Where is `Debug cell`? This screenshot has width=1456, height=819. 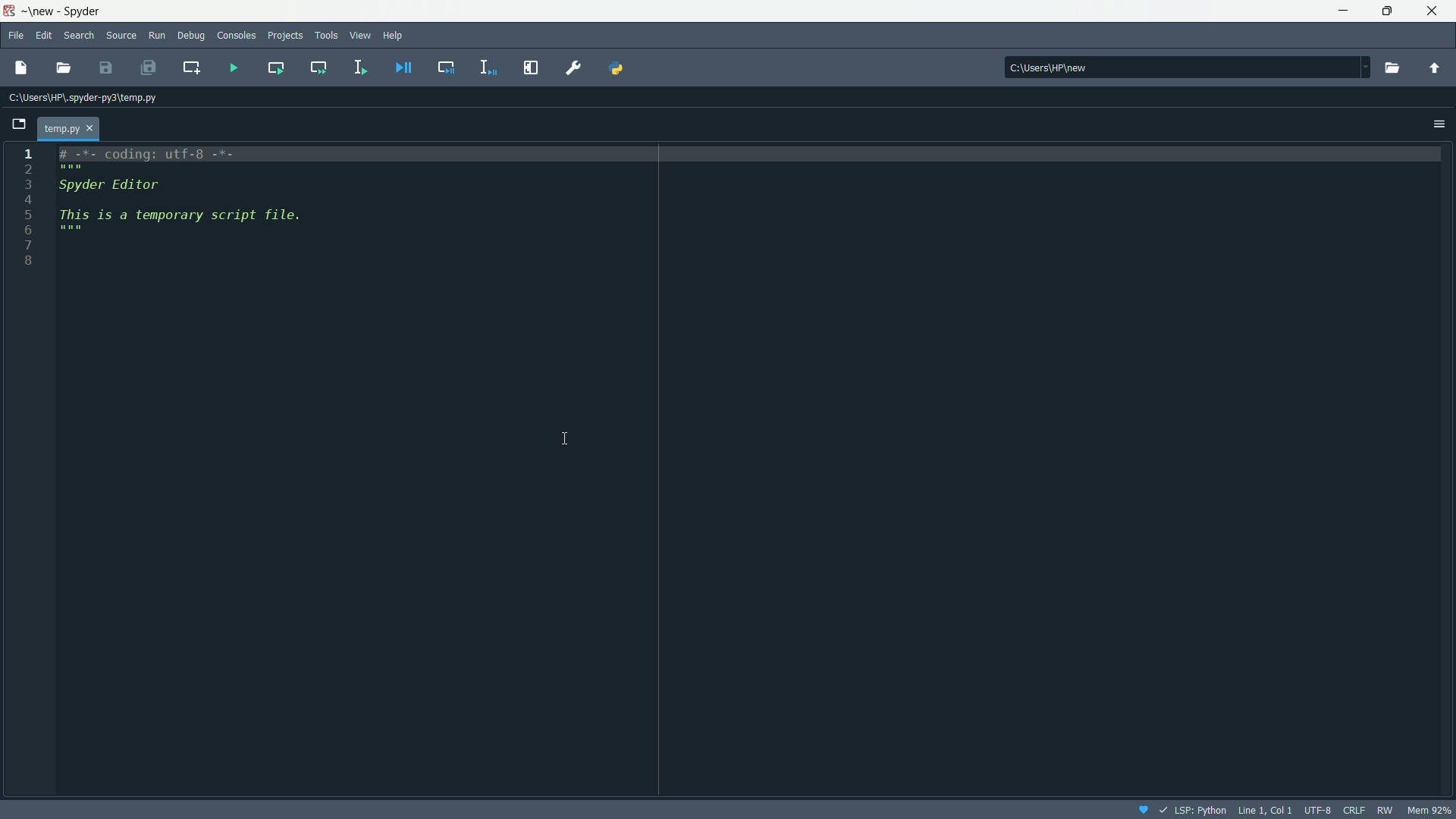 Debug cell is located at coordinates (447, 67).